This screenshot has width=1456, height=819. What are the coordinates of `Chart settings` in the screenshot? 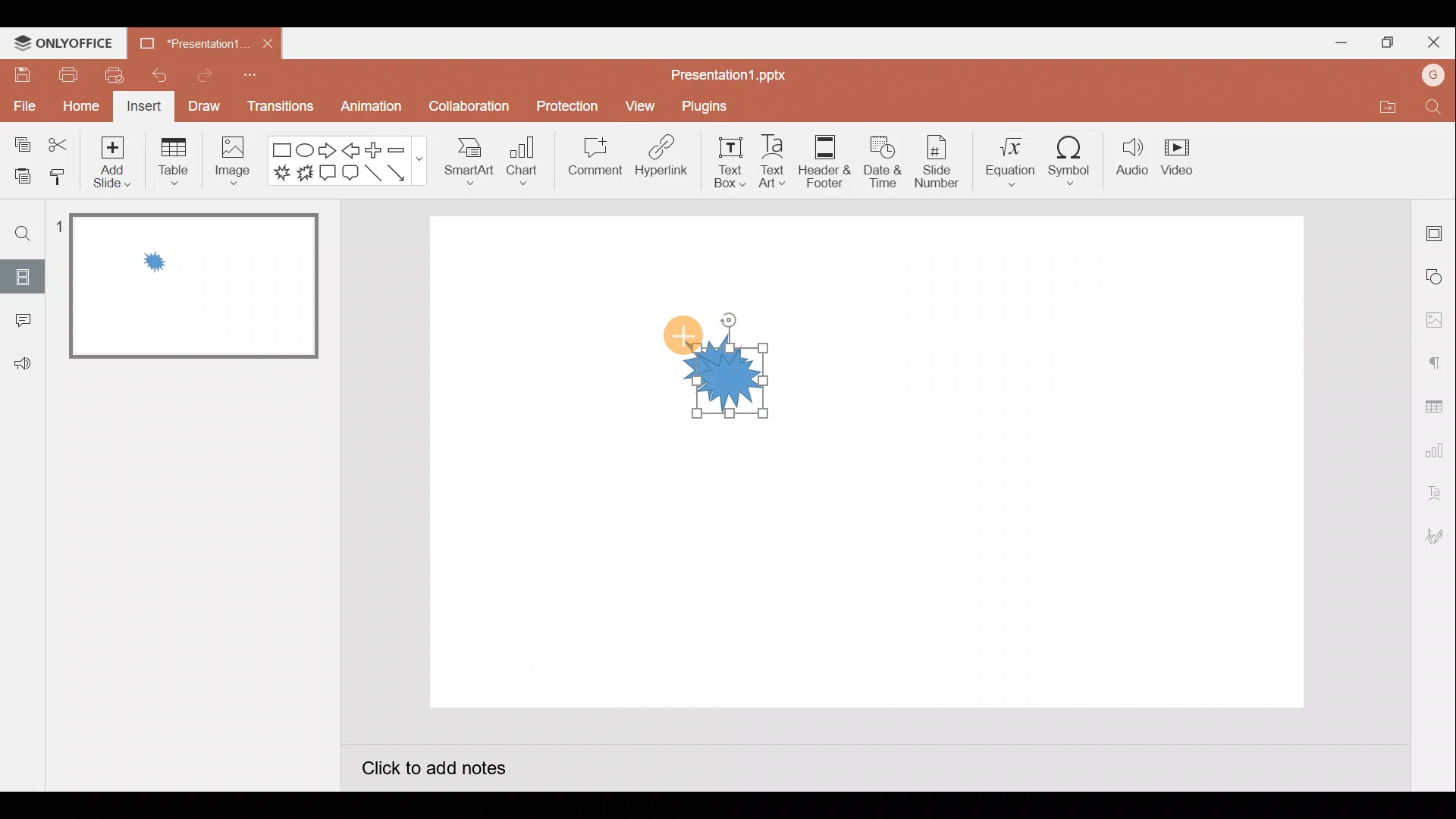 It's located at (1436, 447).